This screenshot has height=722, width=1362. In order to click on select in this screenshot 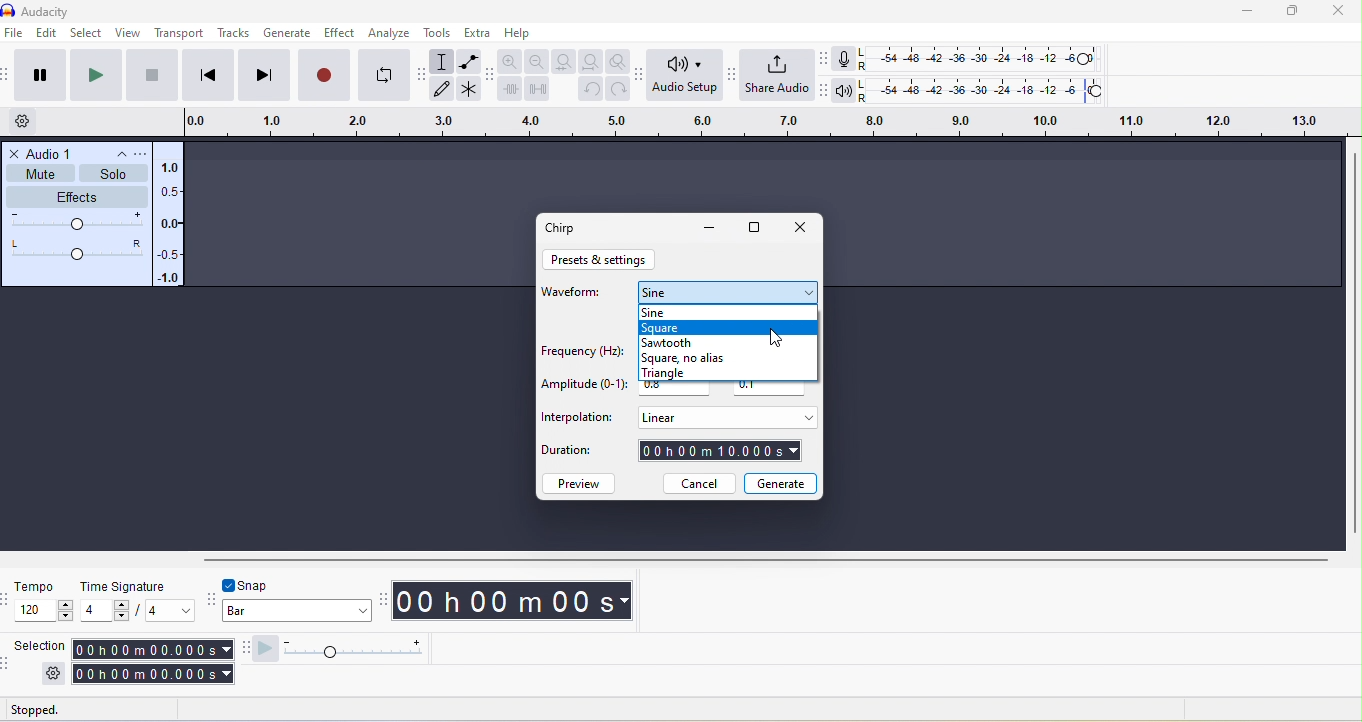, I will do `click(86, 34)`.